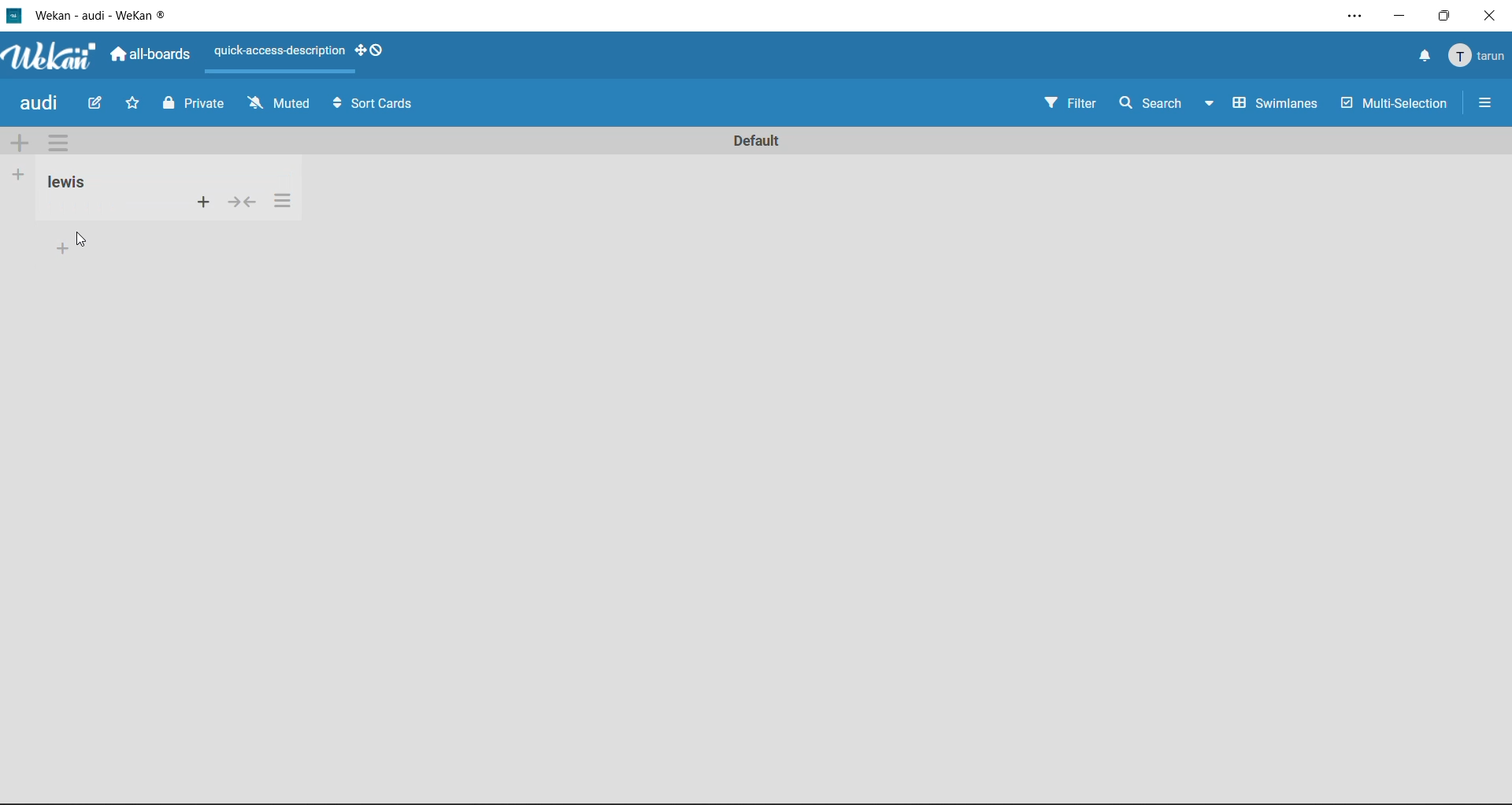 This screenshot has width=1512, height=805. What do you see at coordinates (1424, 57) in the screenshot?
I see `notifications` at bounding box center [1424, 57].